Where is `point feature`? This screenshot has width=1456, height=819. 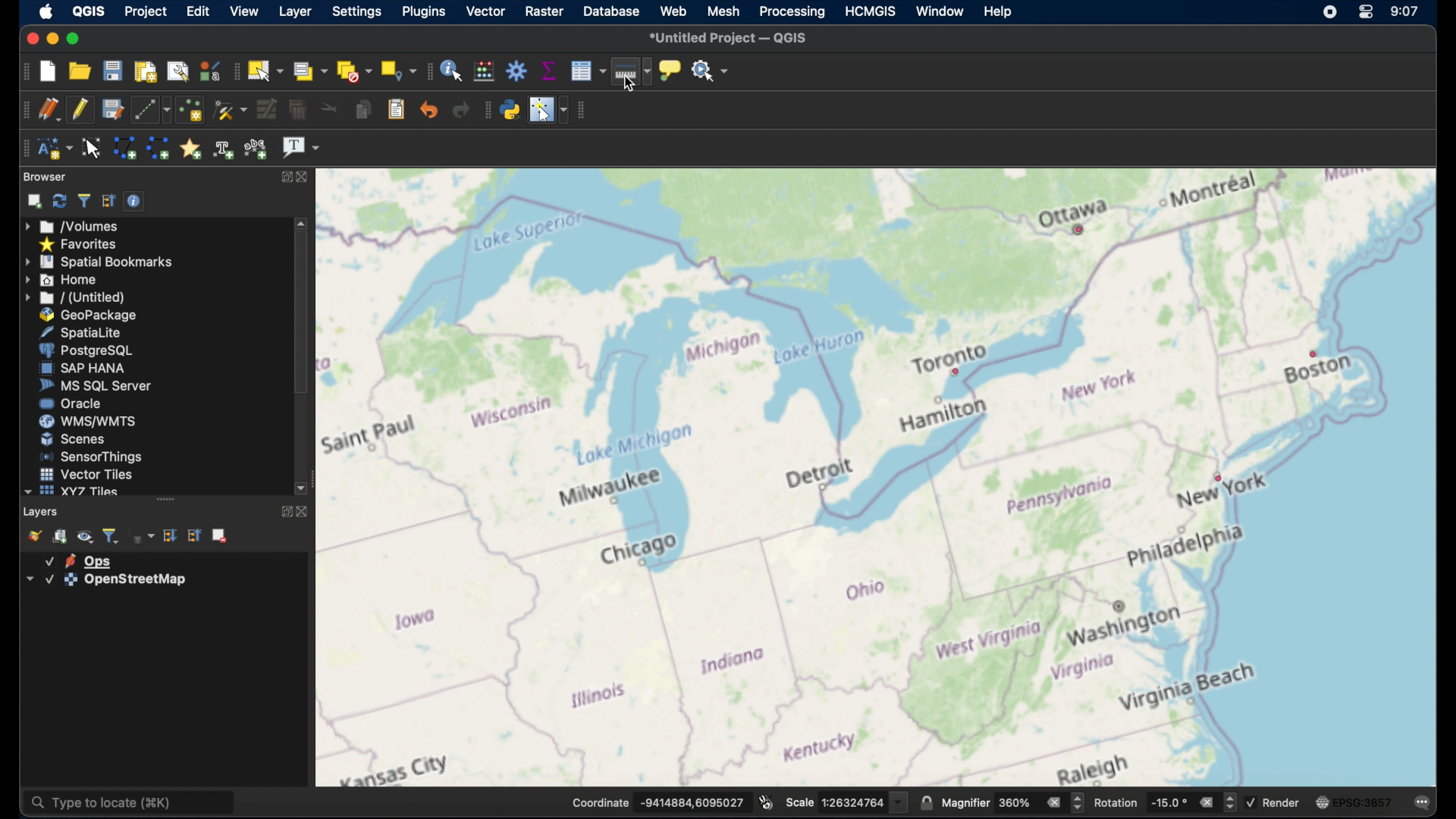 point feature is located at coordinates (1080, 231).